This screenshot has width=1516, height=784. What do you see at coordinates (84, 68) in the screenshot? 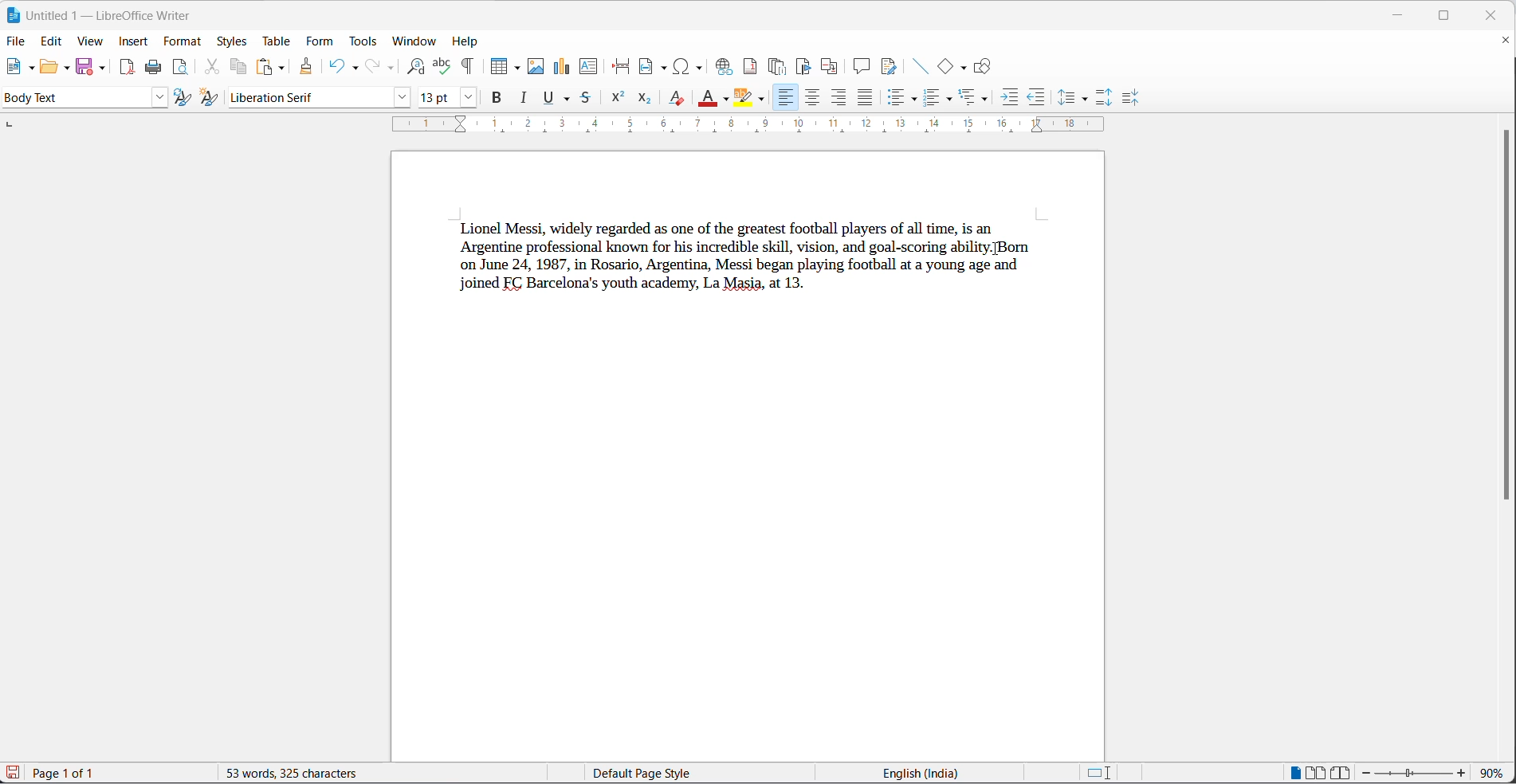
I see `save` at bounding box center [84, 68].